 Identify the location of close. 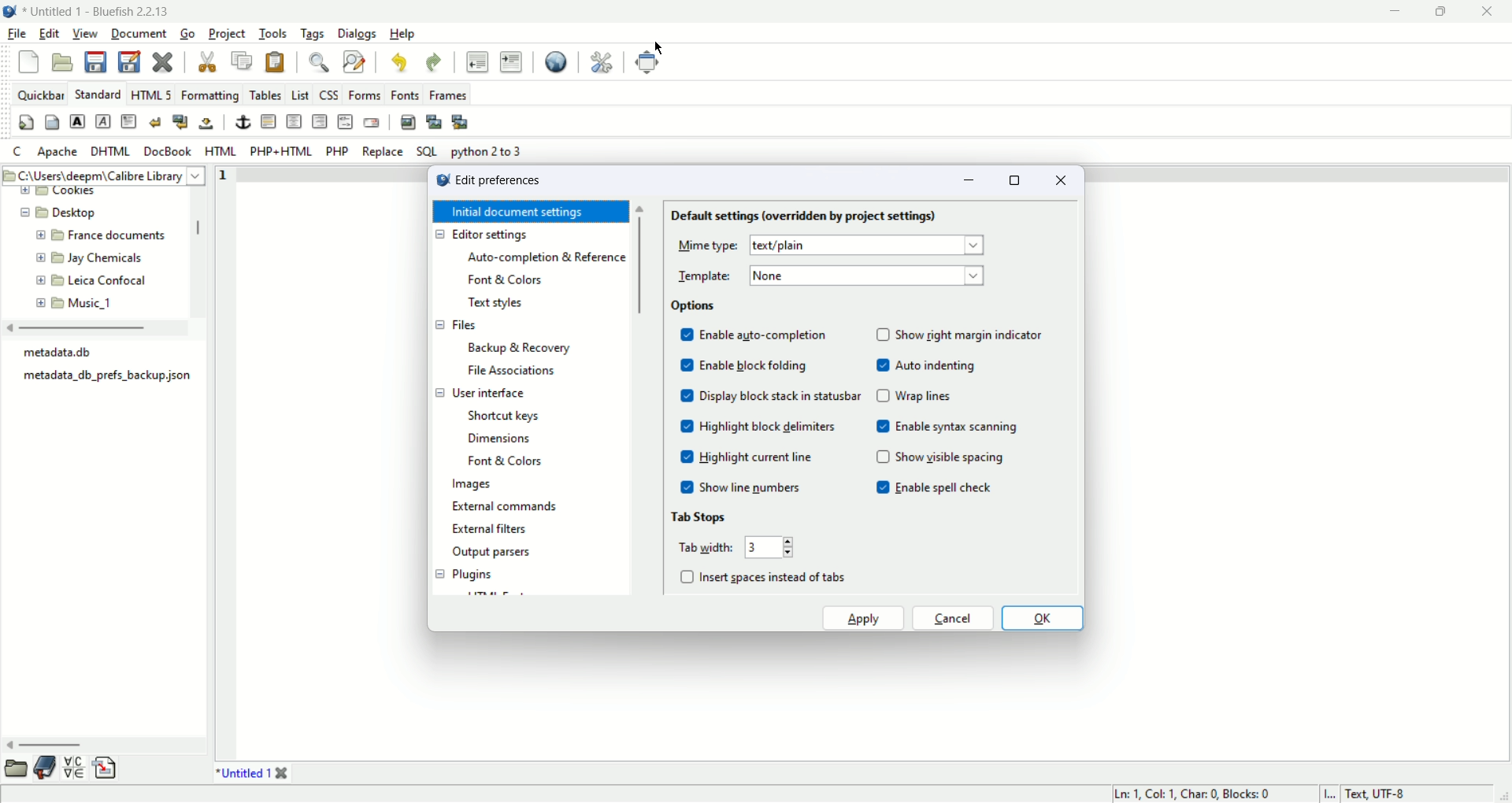
(1488, 13).